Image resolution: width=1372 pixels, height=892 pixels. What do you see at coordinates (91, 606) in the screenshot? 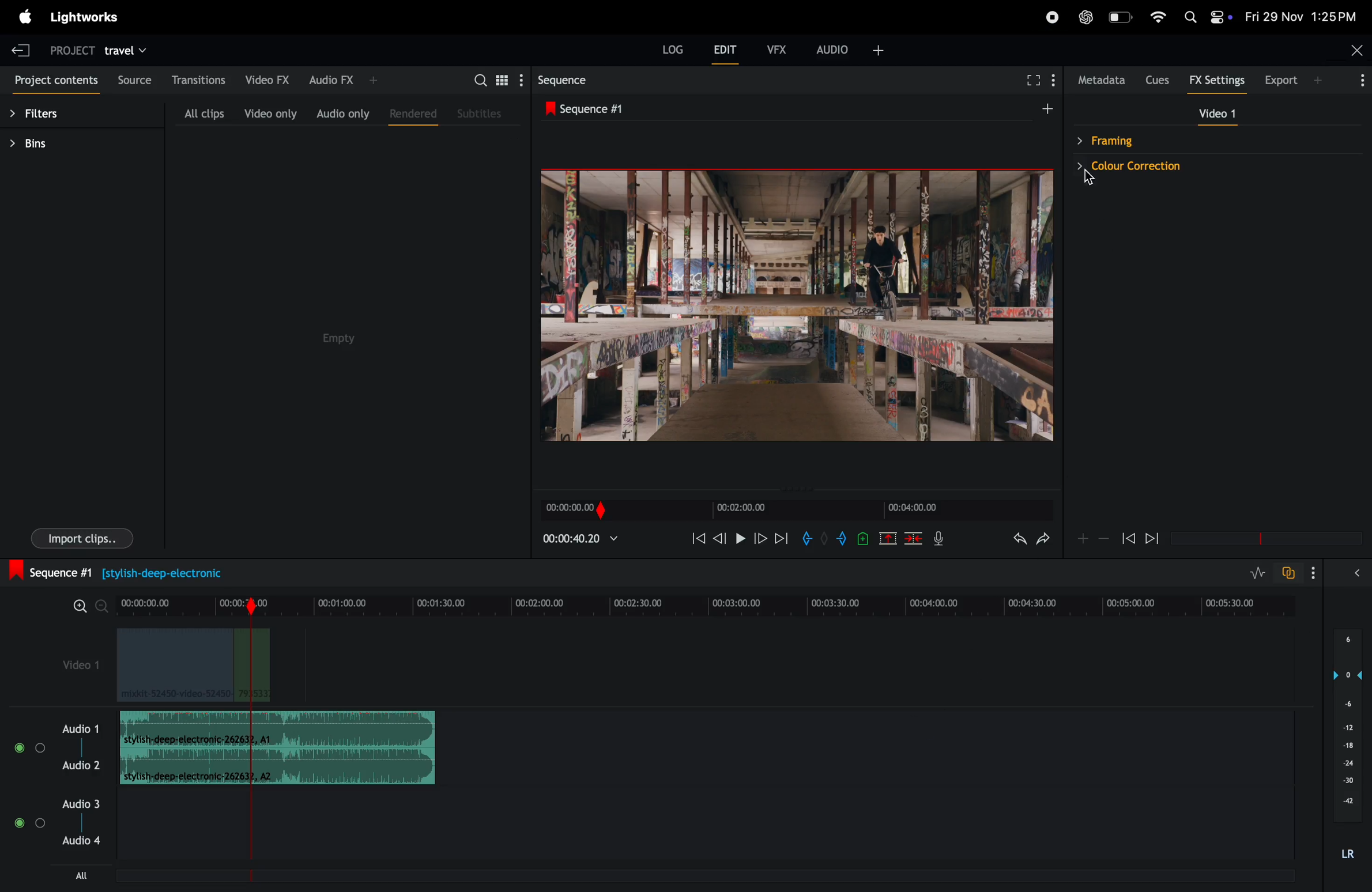
I see `zoom in zoom out` at bounding box center [91, 606].